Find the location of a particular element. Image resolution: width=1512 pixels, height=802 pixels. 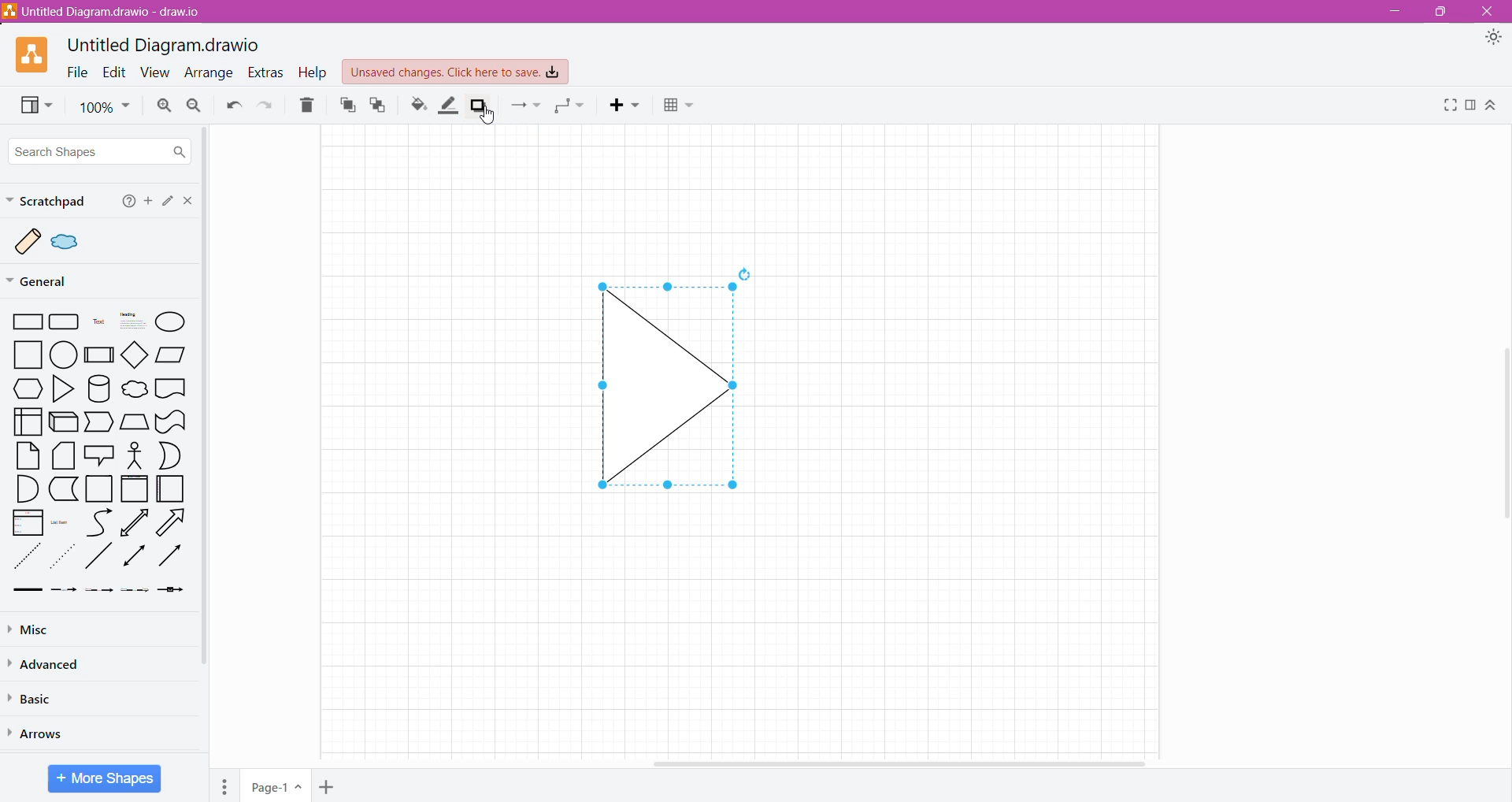

Connection is located at coordinates (527, 104).